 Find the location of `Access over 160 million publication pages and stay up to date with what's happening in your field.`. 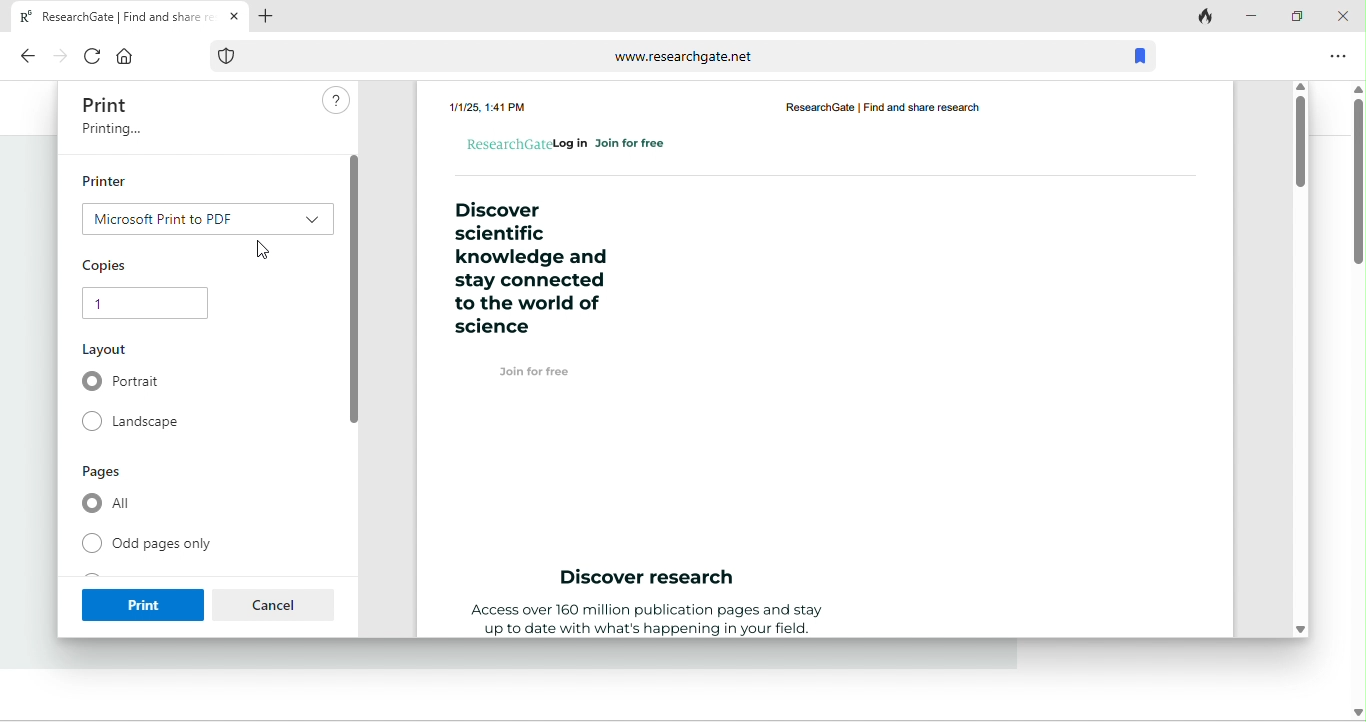

Access over 160 million publication pages and stay up to date with what's happening in your field. is located at coordinates (643, 620).